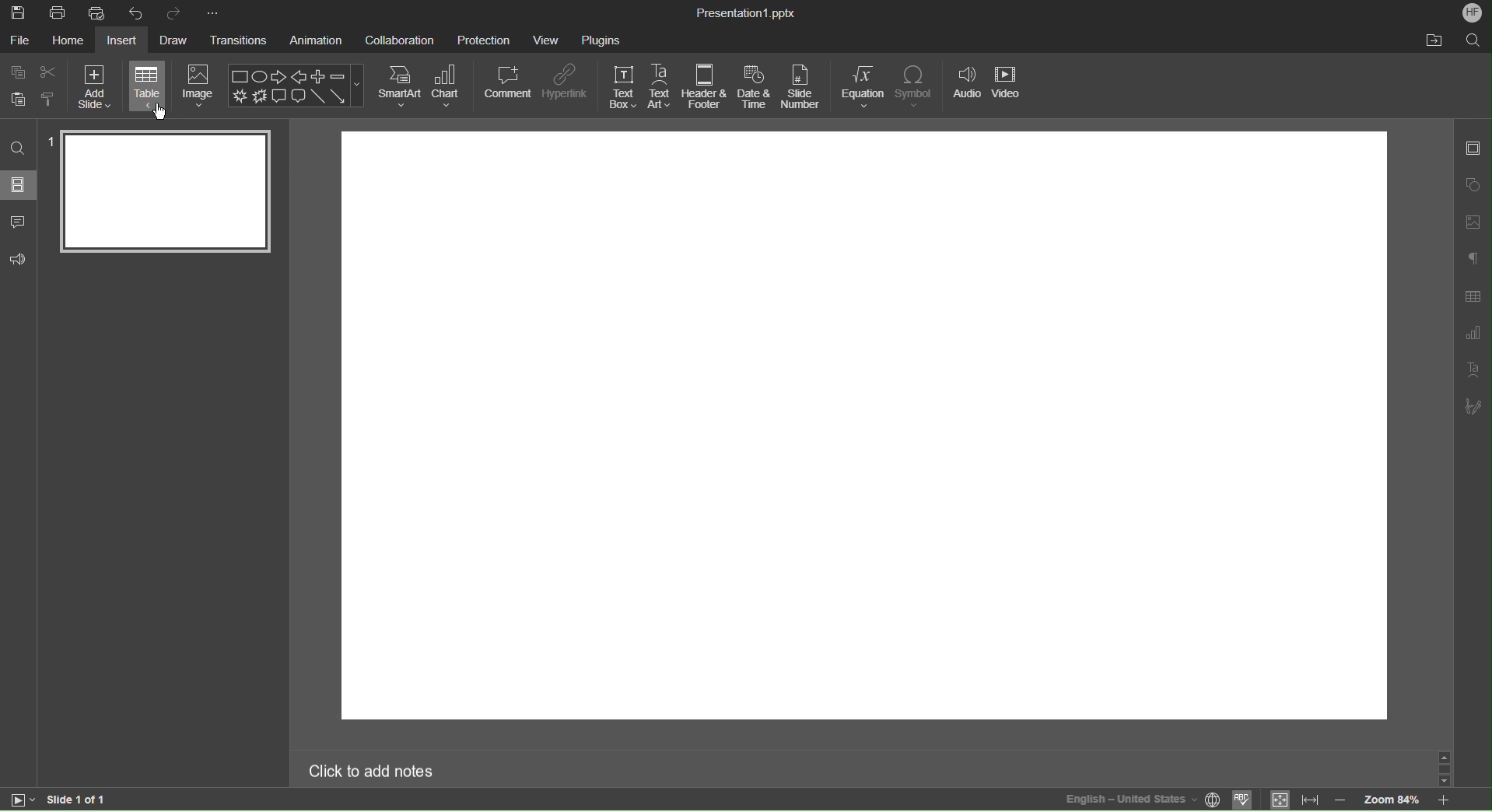 This screenshot has height=812, width=1492. What do you see at coordinates (1279, 800) in the screenshot?
I see `fit to slide` at bounding box center [1279, 800].